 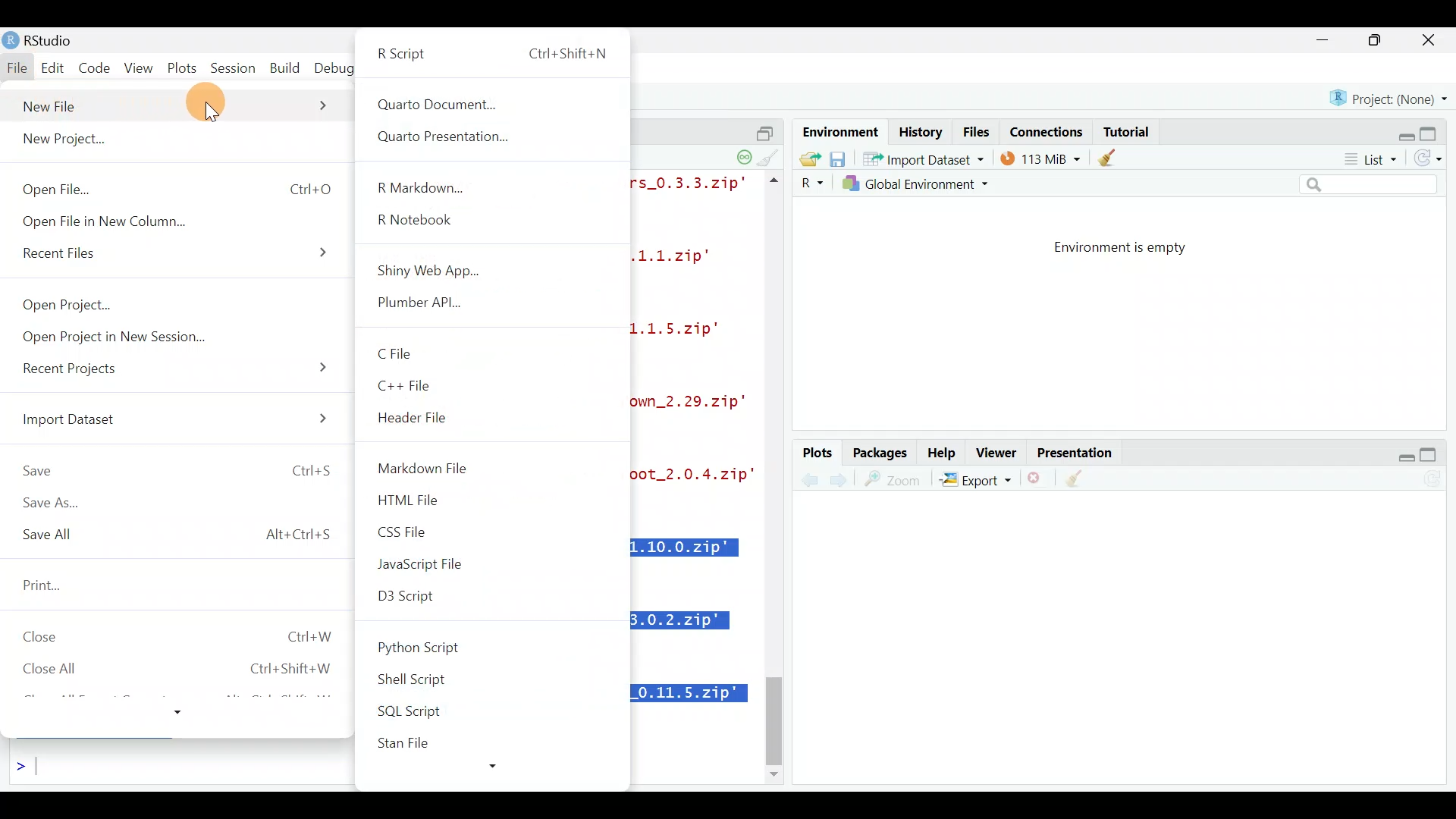 I want to click on Viewer, so click(x=996, y=454).